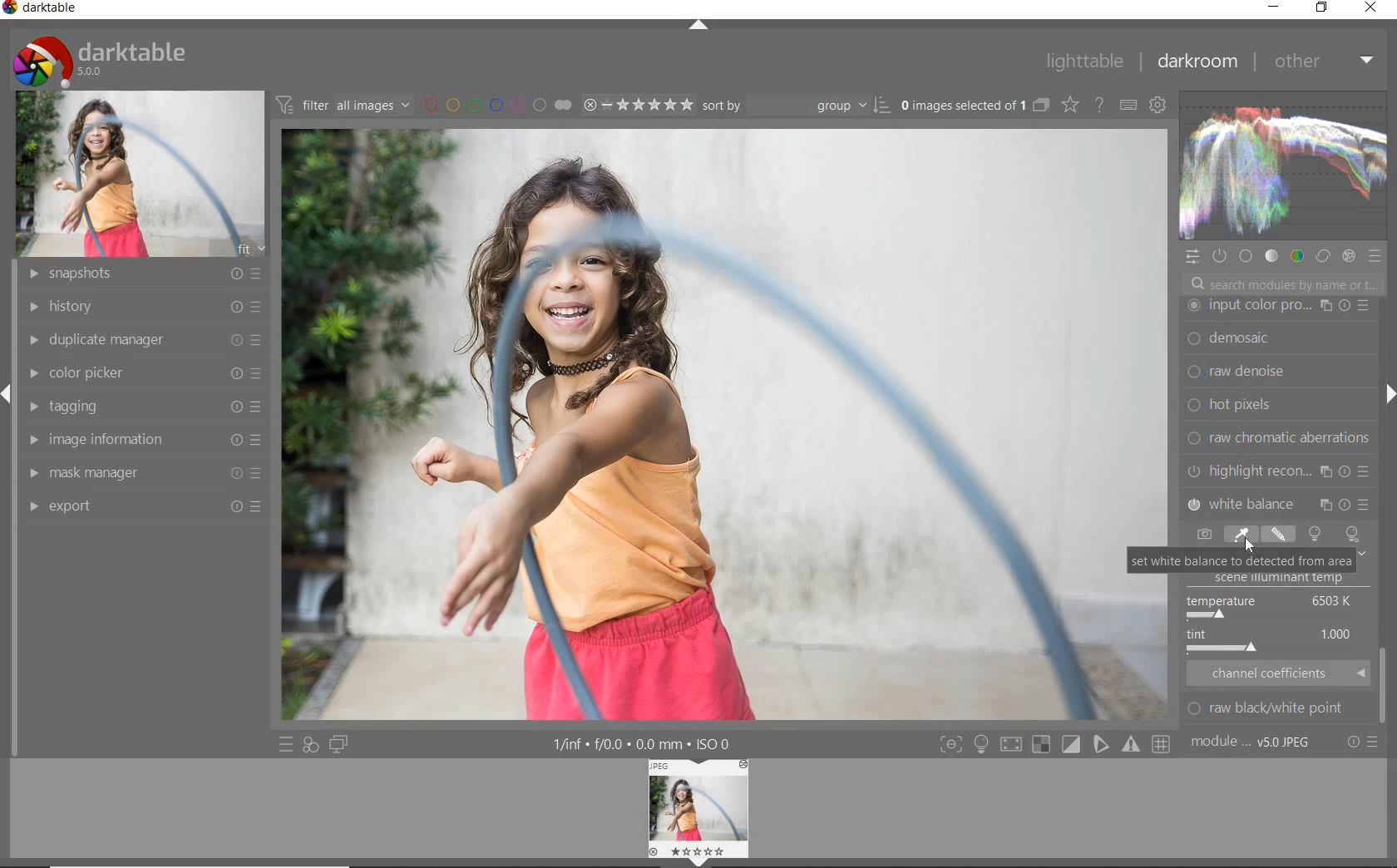 The height and width of the screenshot is (868, 1397). What do you see at coordinates (1271, 606) in the screenshot?
I see `TEMPERATURE` at bounding box center [1271, 606].